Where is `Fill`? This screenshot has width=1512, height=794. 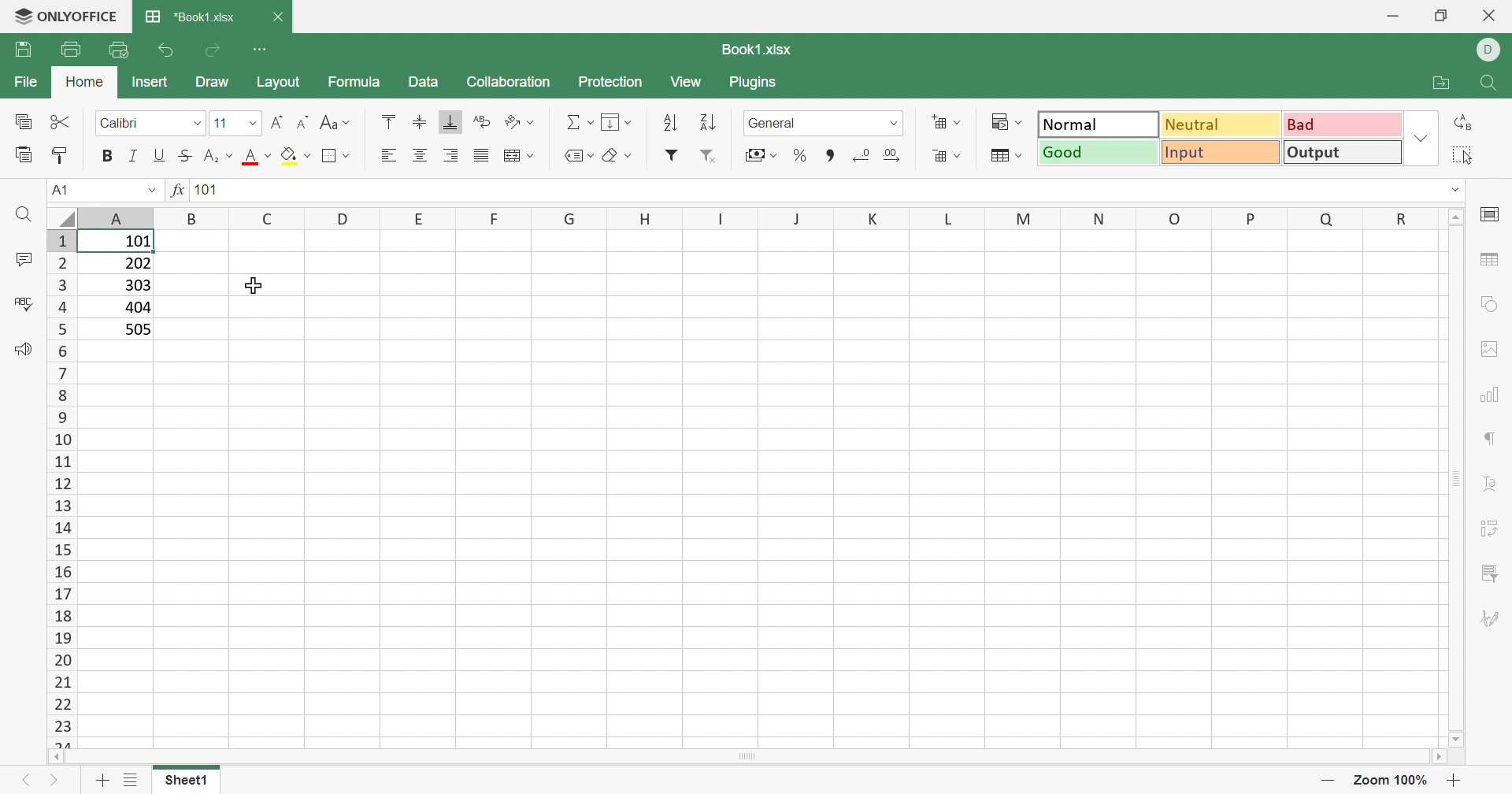 Fill is located at coordinates (617, 123).